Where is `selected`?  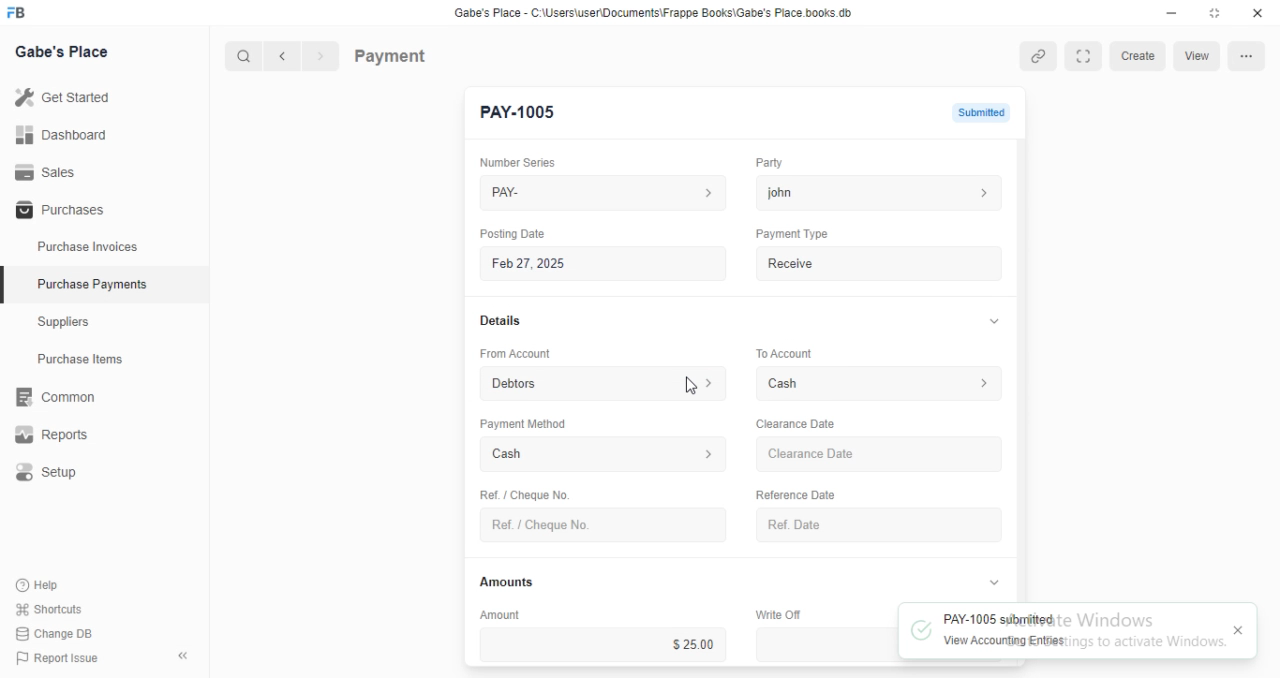 selected is located at coordinates (8, 287).